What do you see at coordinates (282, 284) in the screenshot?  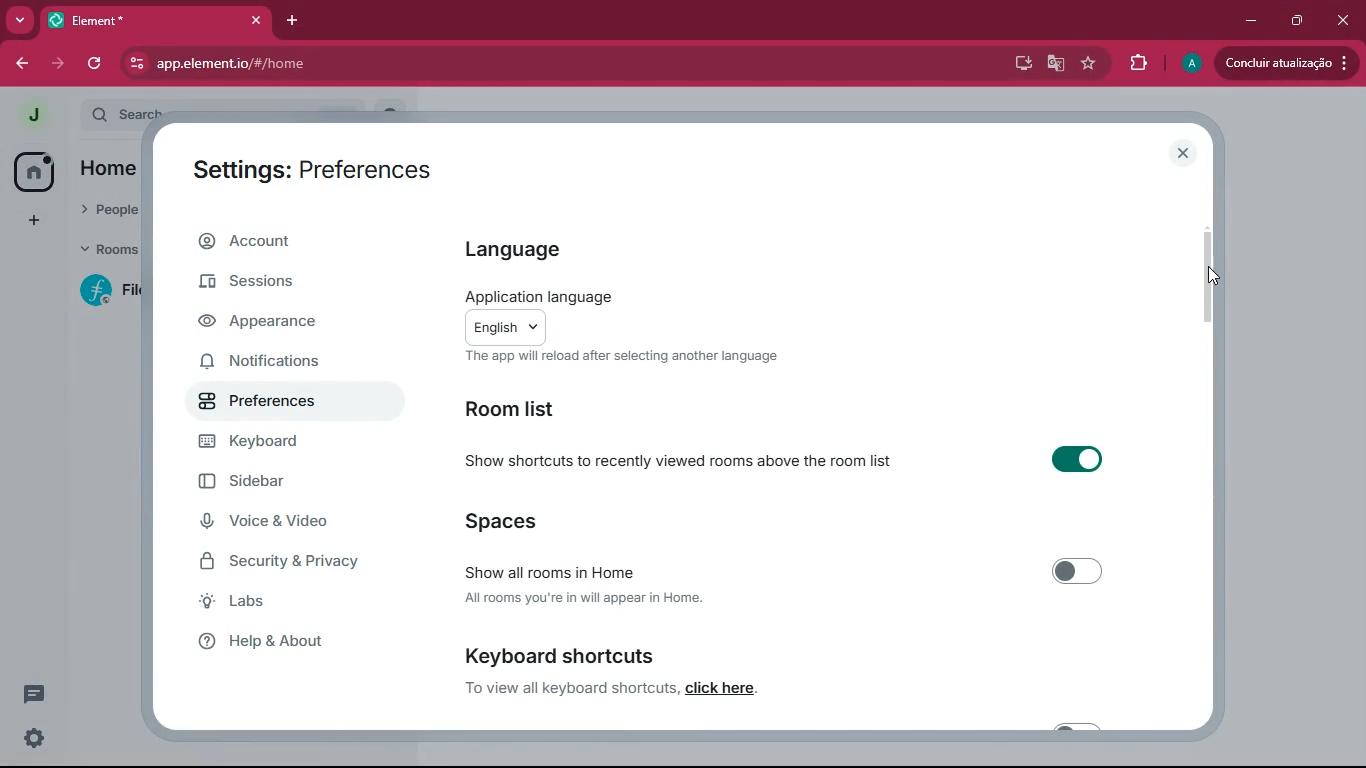 I see `sessions` at bounding box center [282, 284].